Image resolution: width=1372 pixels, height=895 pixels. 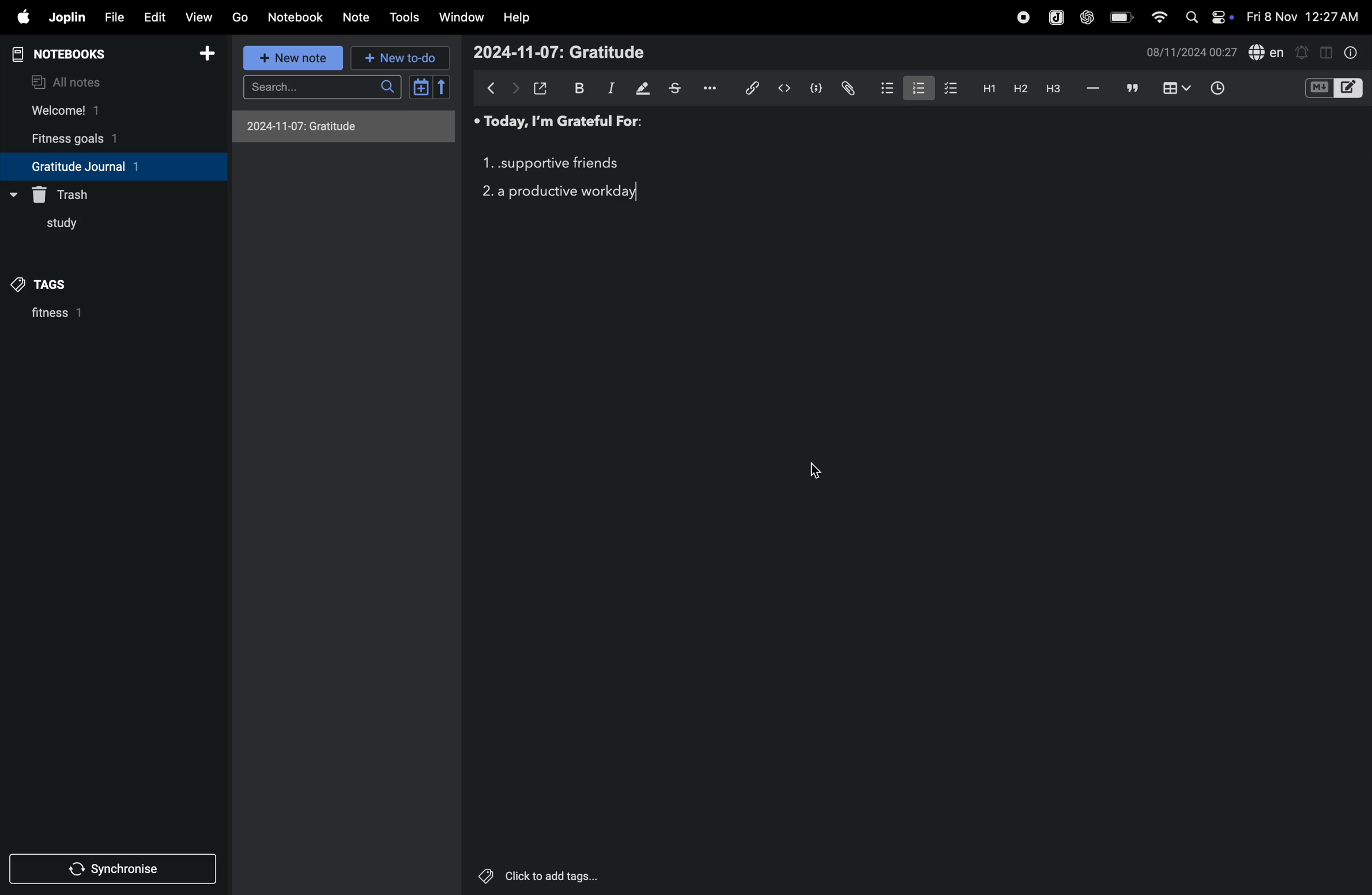 I want to click on heading 1, so click(x=986, y=90).